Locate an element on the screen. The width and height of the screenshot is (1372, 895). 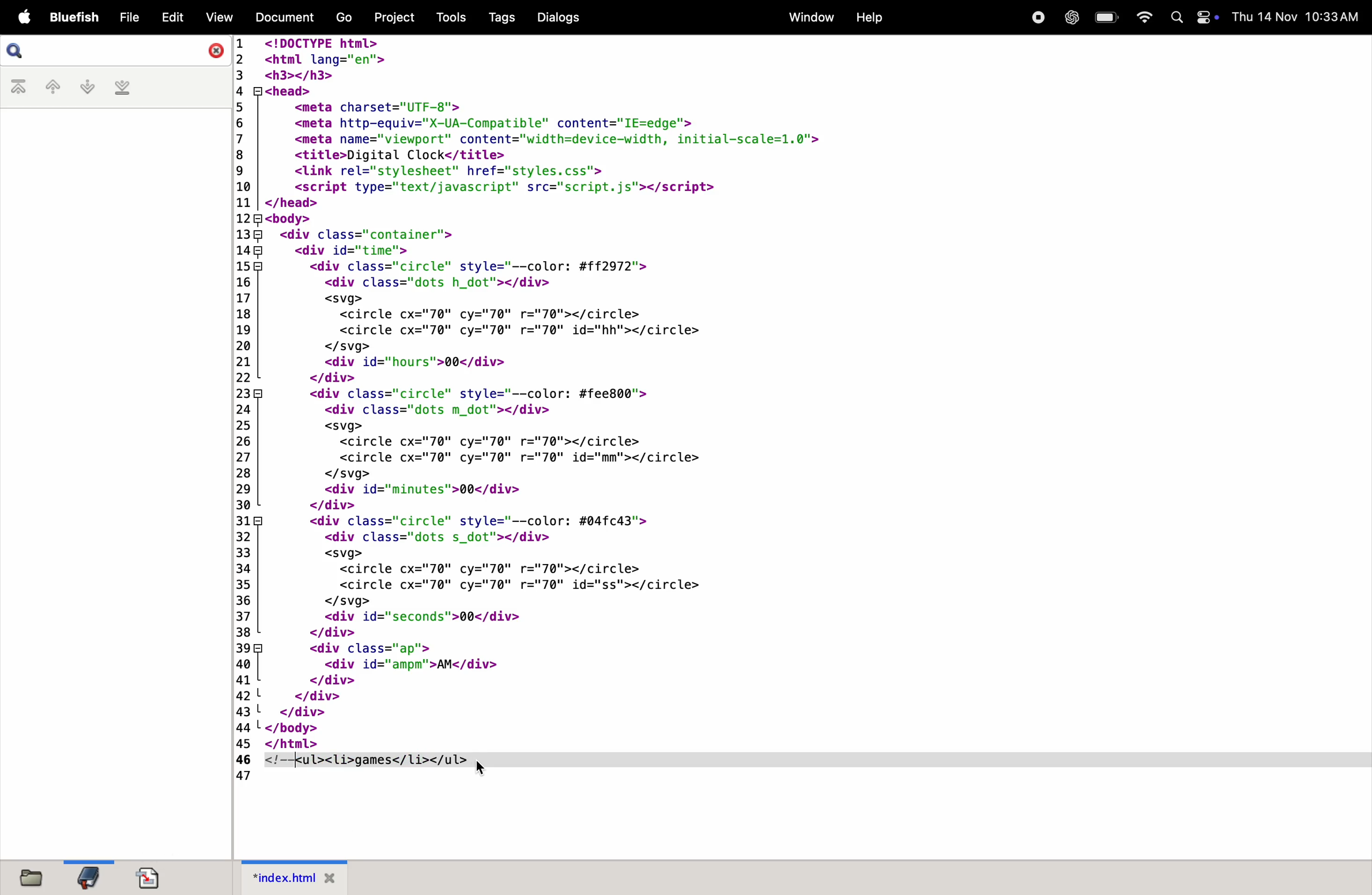
Apple menu is located at coordinates (22, 16).